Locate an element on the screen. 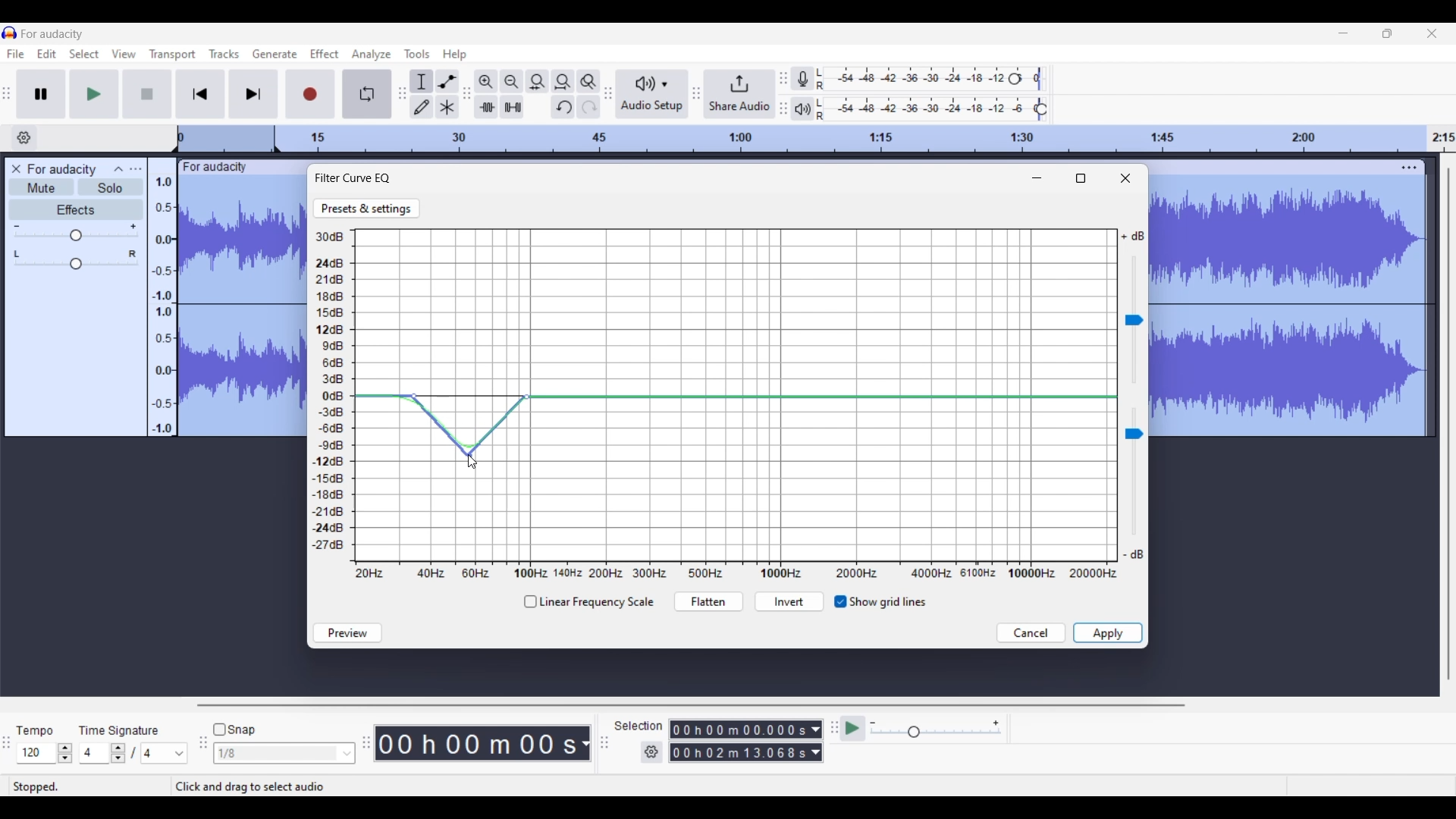 This screenshot has height=819, width=1456. Audio track name is located at coordinates (62, 170).